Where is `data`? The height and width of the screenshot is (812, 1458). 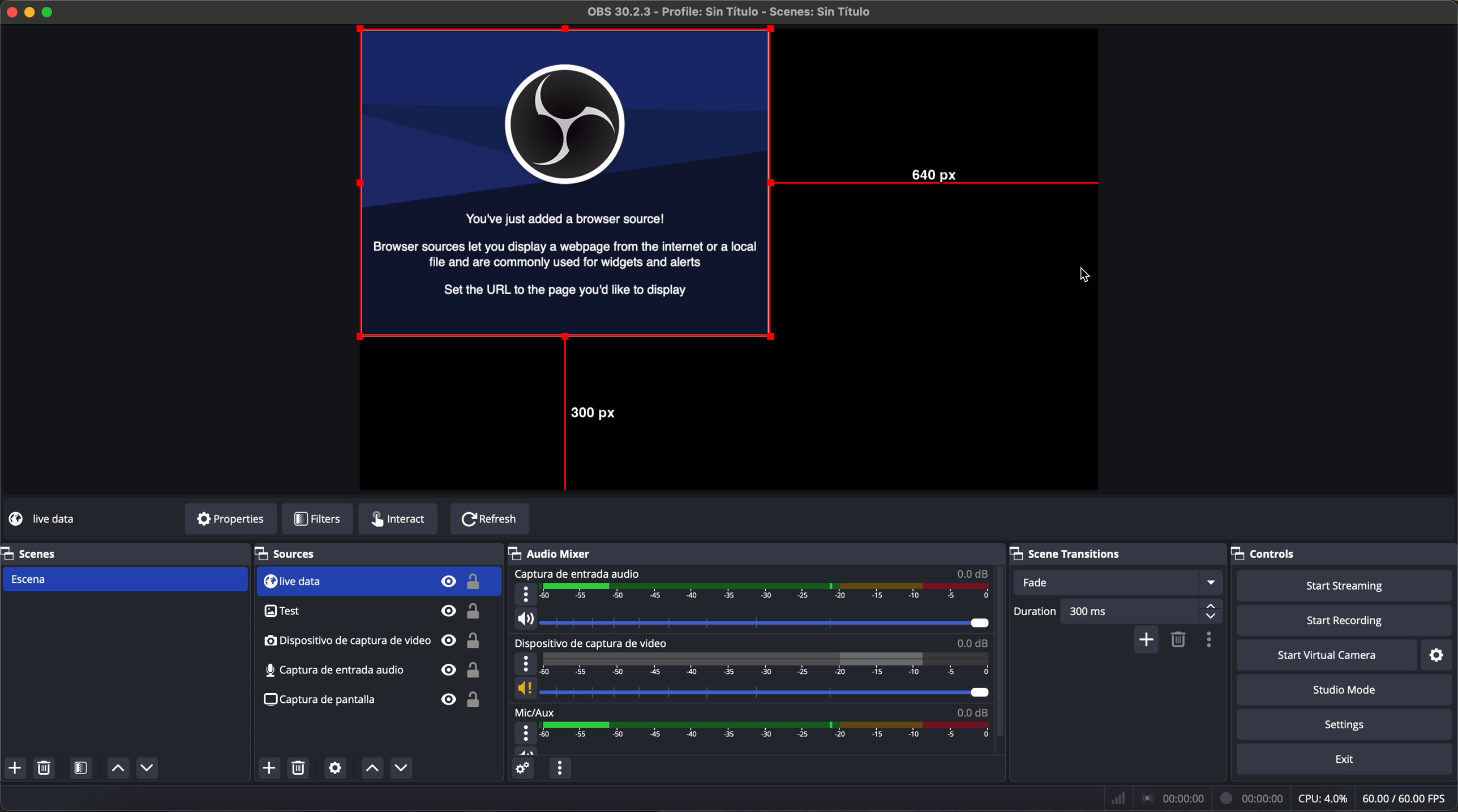 data is located at coordinates (1280, 797).